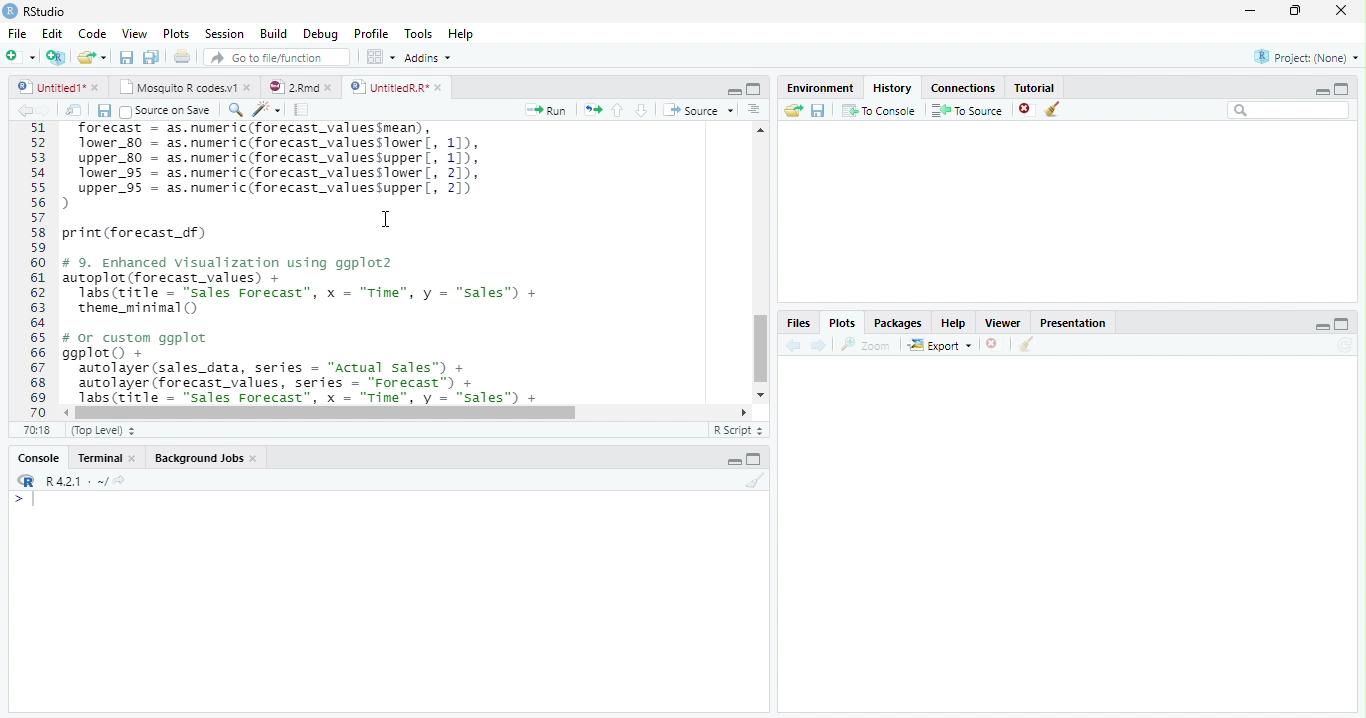 The width and height of the screenshot is (1366, 718). I want to click on Profile, so click(372, 35).